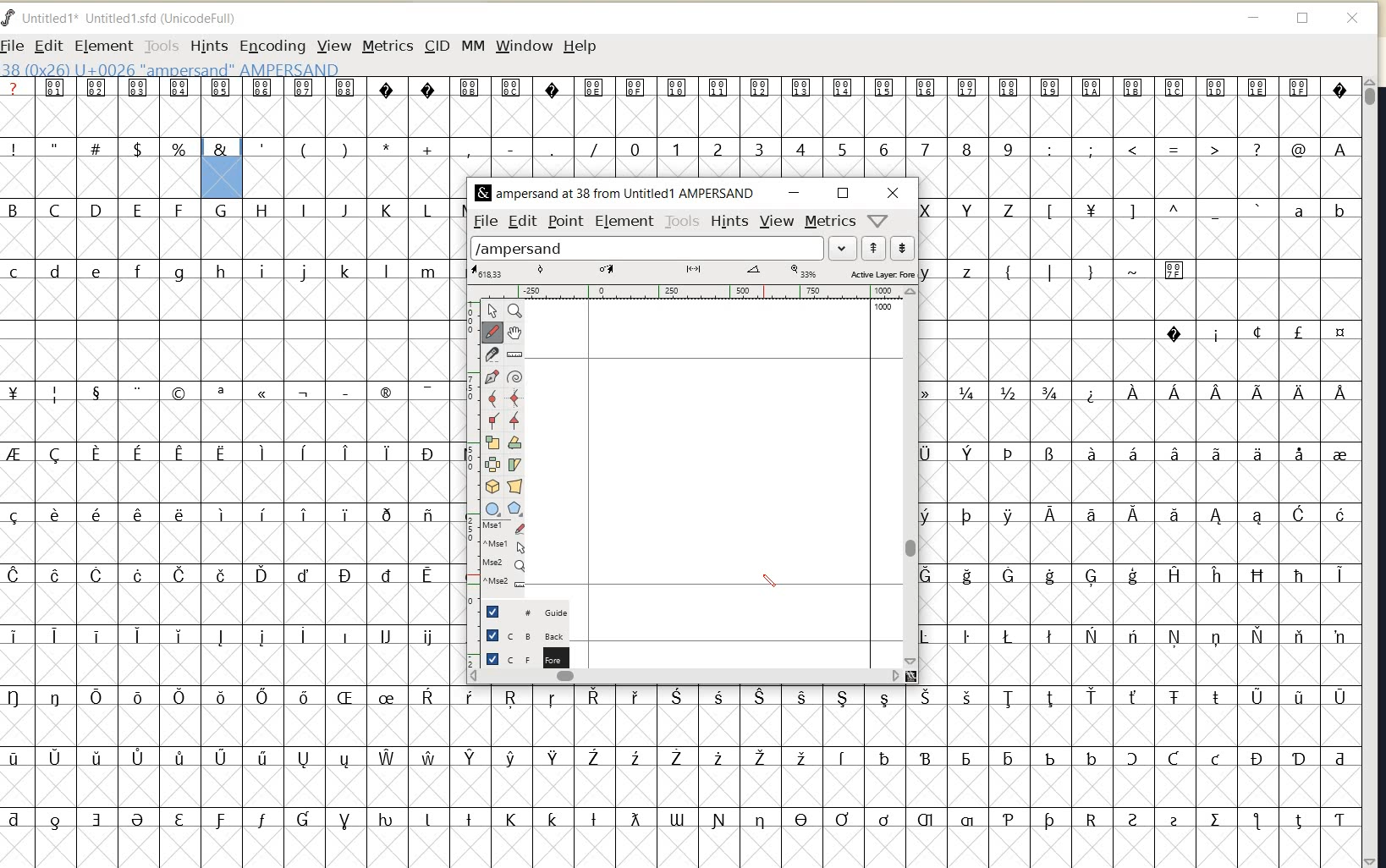 Image resolution: width=1386 pixels, height=868 pixels. What do you see at coordinates (524, 611) in the screenshot?
I see `GUIDE` at bounding box center [524, 611].